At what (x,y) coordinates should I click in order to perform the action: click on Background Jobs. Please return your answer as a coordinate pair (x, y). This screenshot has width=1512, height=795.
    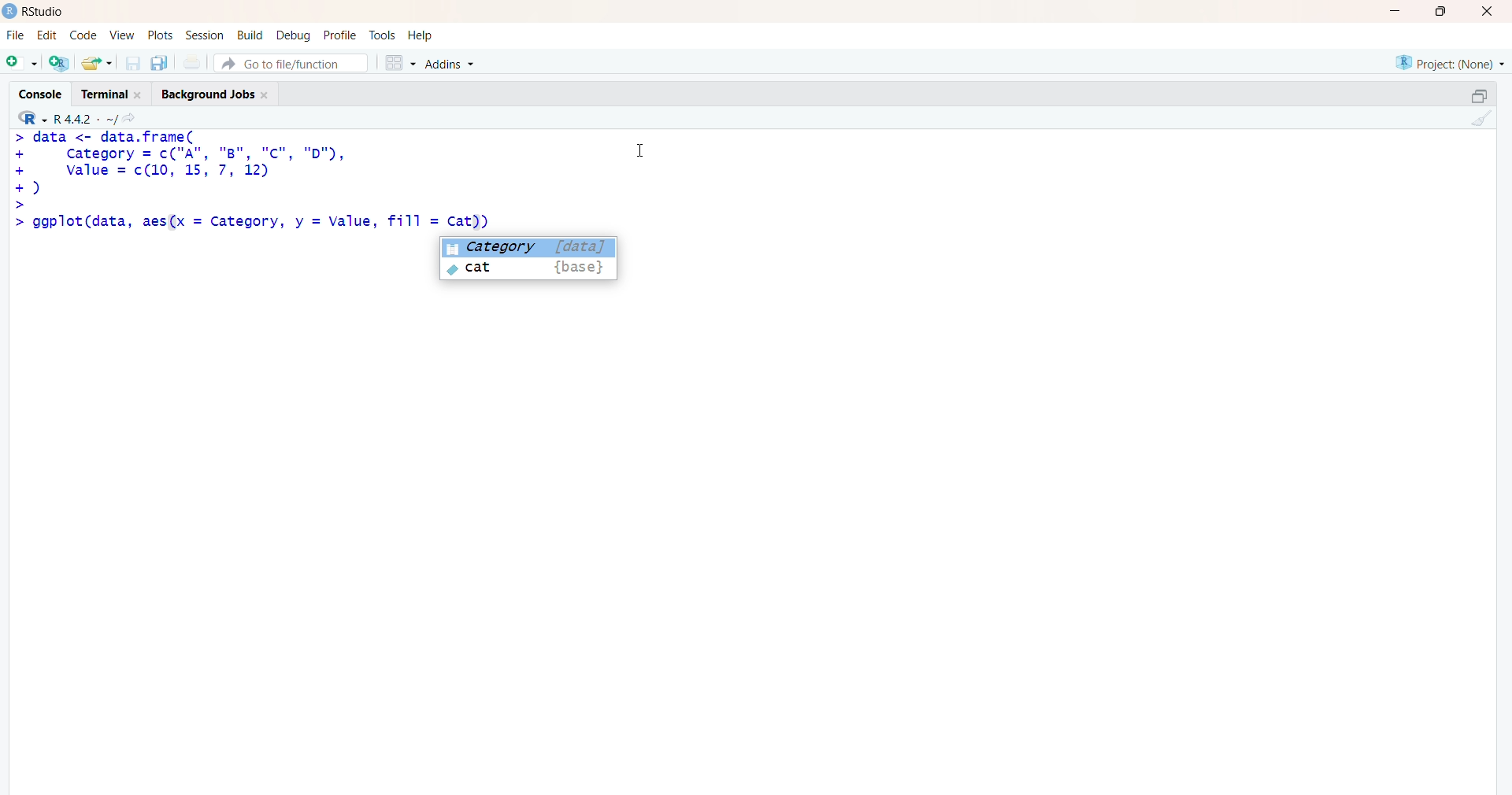
    Looking at the image, I should click on (214, 91).